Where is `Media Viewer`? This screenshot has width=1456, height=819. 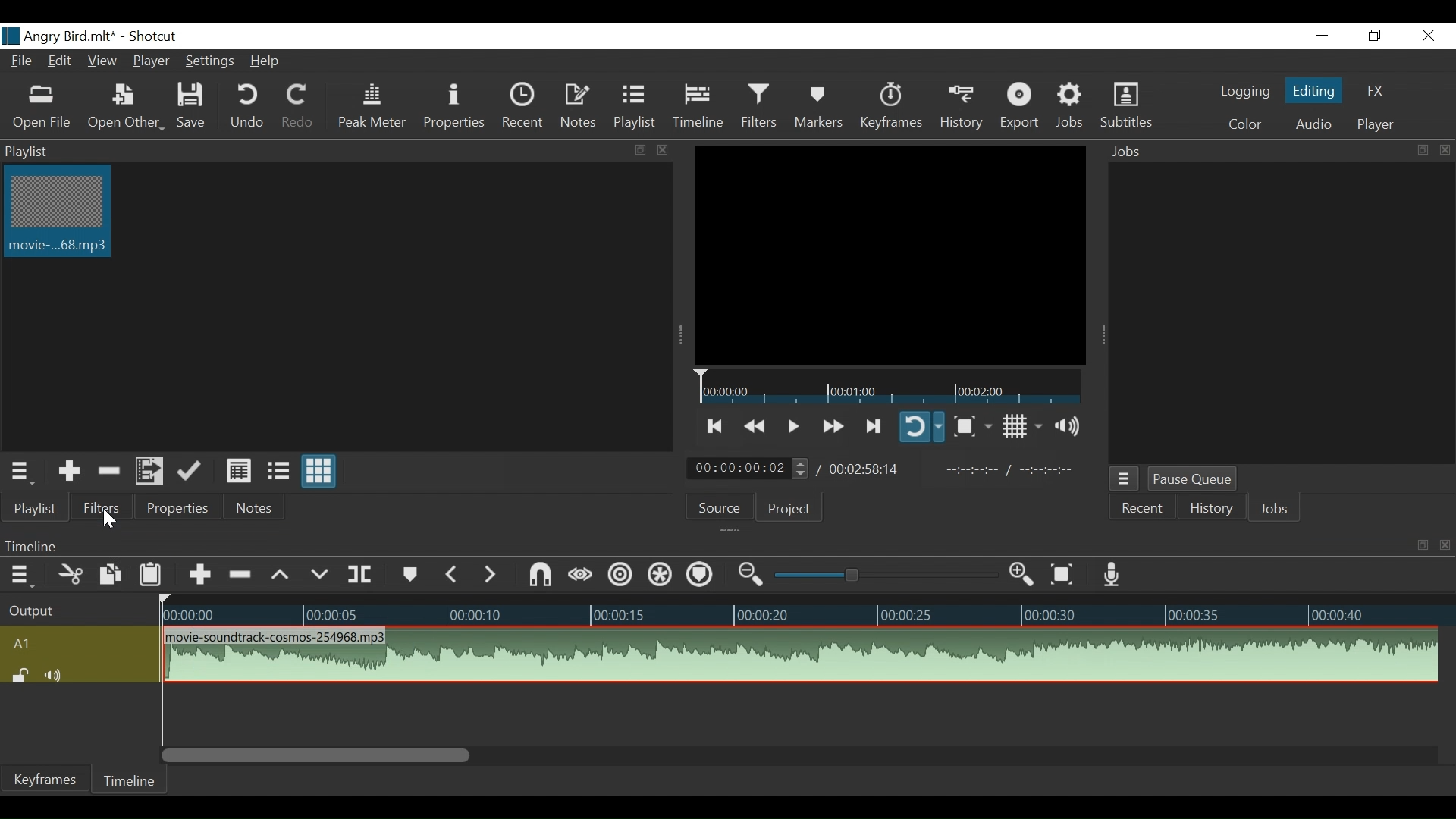
Media Viewer is located at coordinates (890, 255).